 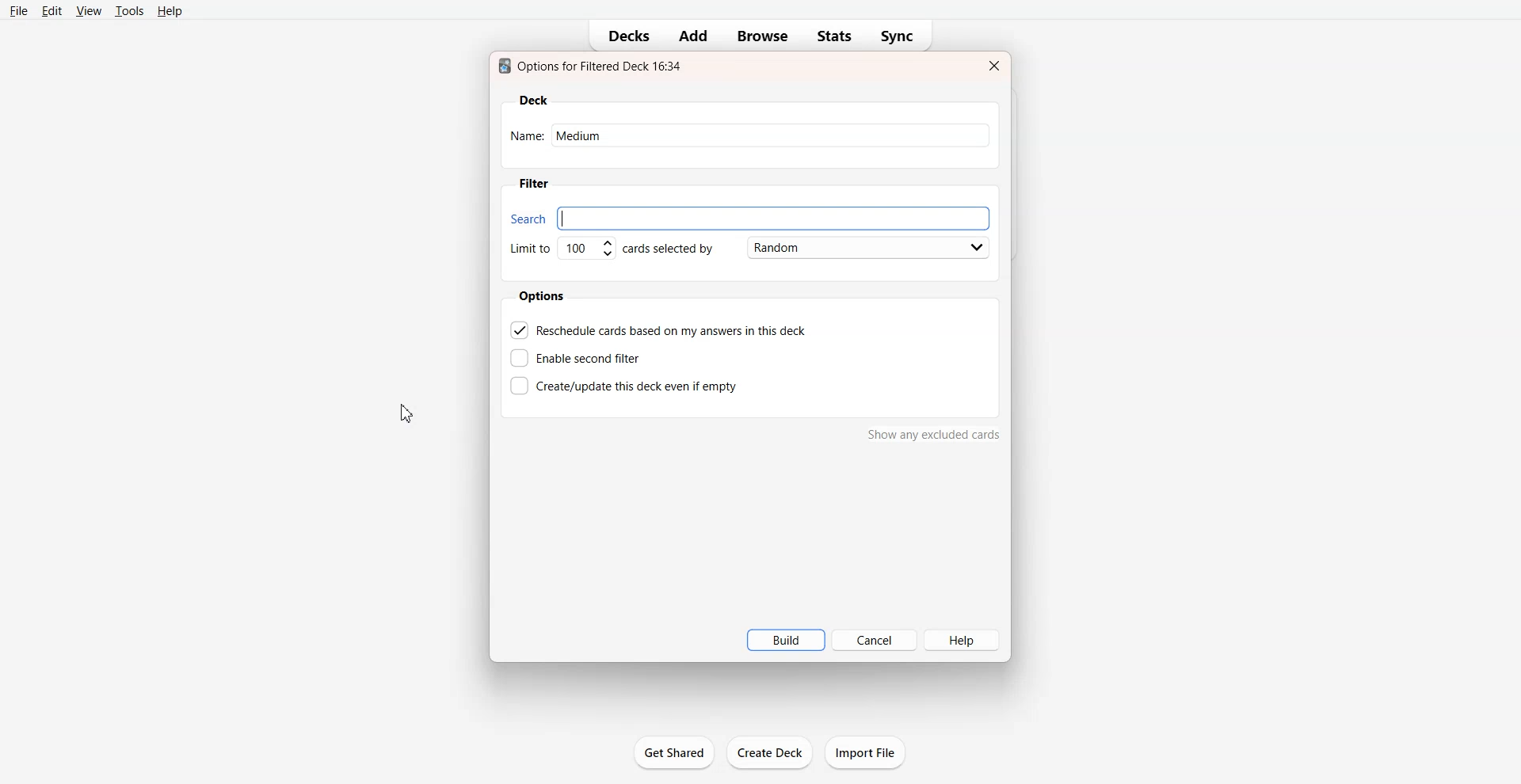 I want to click on Create this deck even if empty, so click(x=623, y=384).